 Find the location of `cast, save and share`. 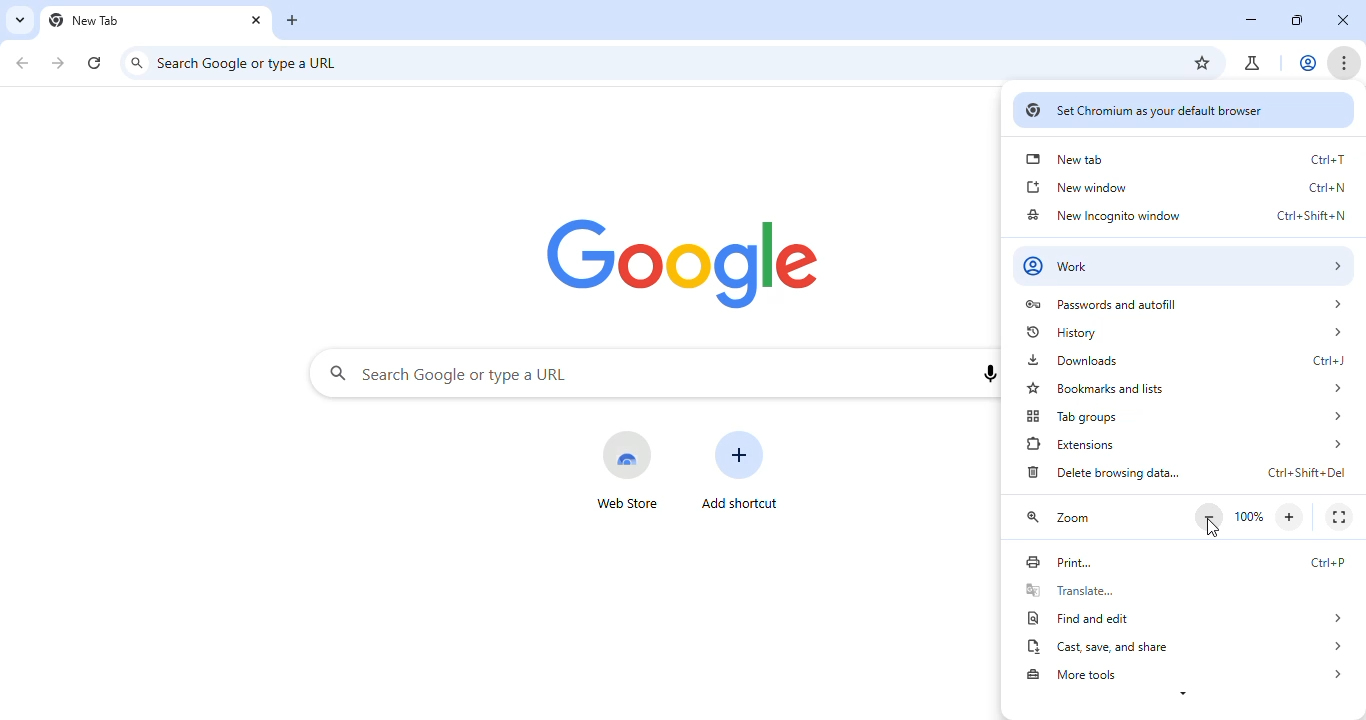

cast, save and share is located at coordinates (1187, 646).